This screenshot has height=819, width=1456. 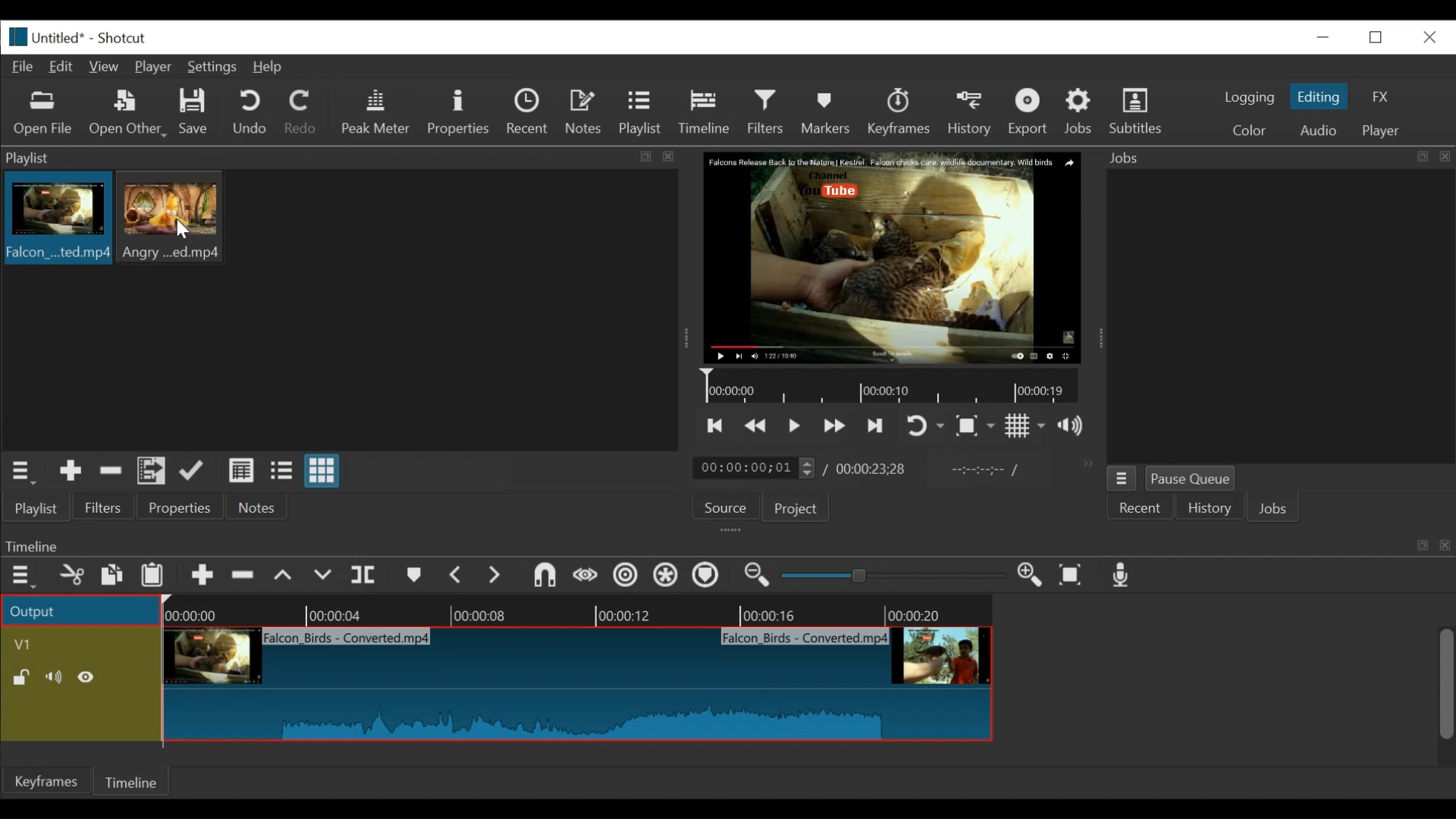 What do you see at coordinates (1191, 482) in the screenshot?
I see `Pause Queue` at bounding box center [1191, 482].